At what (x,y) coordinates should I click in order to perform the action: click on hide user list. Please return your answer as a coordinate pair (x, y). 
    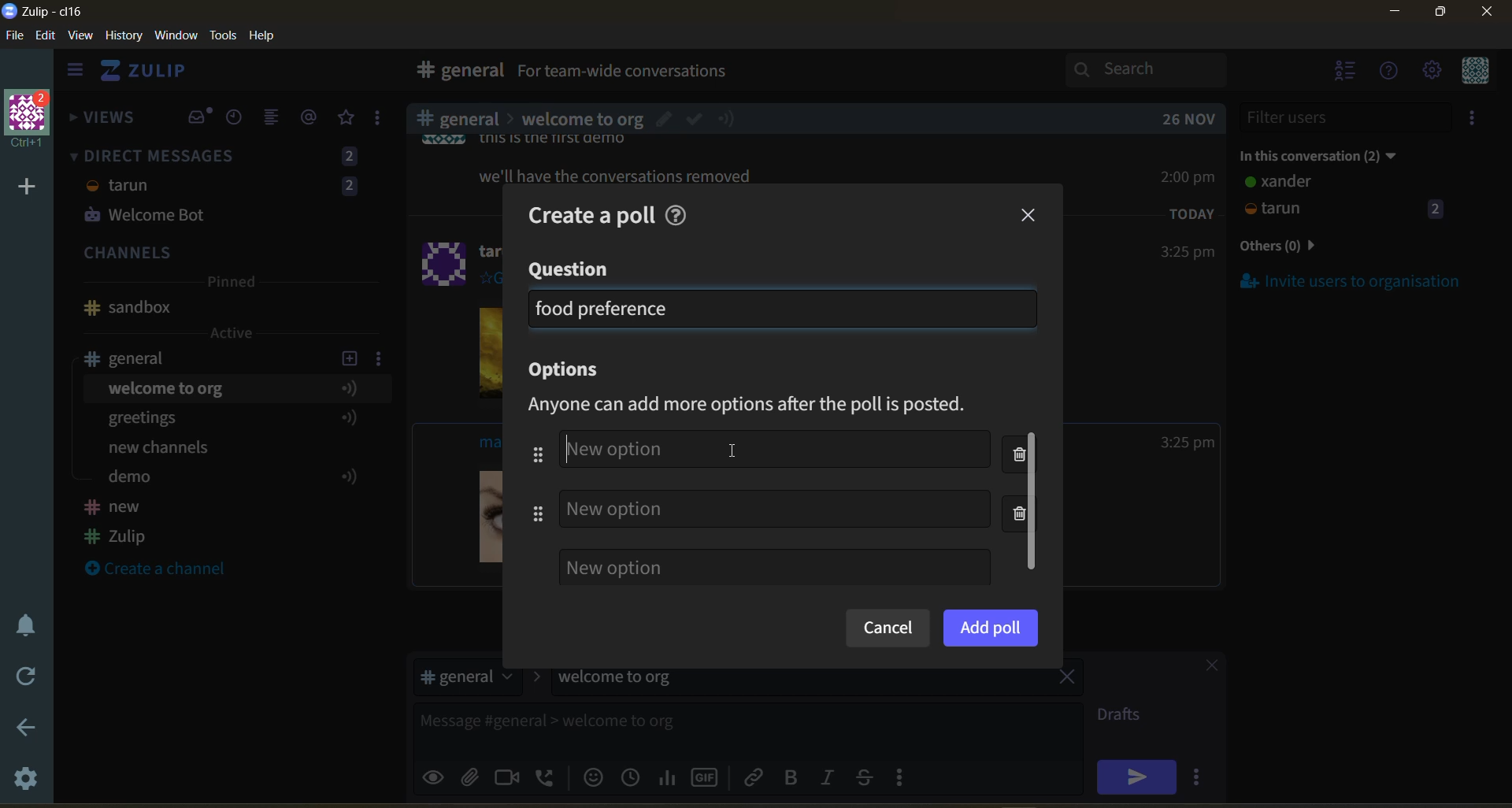
    Looking at the image, I should click on (1346, 72).